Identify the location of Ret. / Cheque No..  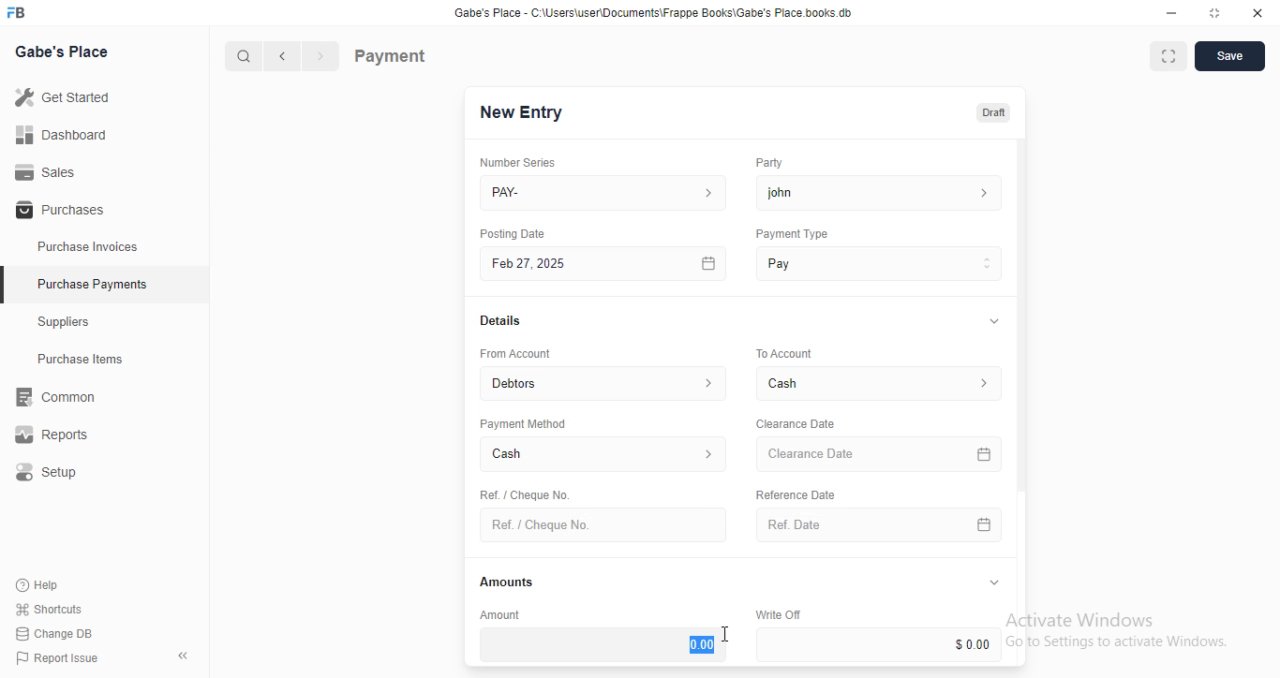
(522, 493).